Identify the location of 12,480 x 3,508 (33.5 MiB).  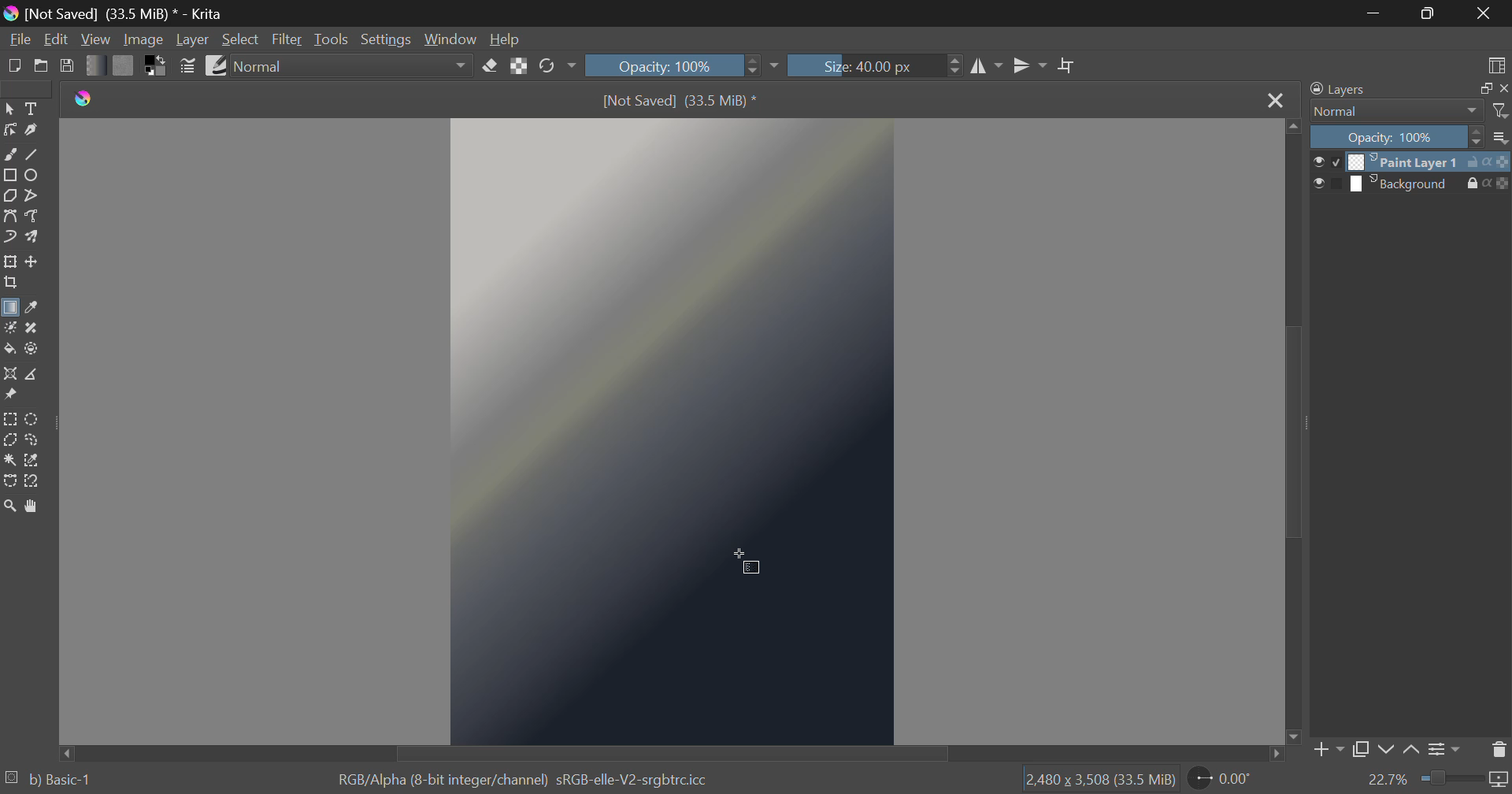
(1099, 779).